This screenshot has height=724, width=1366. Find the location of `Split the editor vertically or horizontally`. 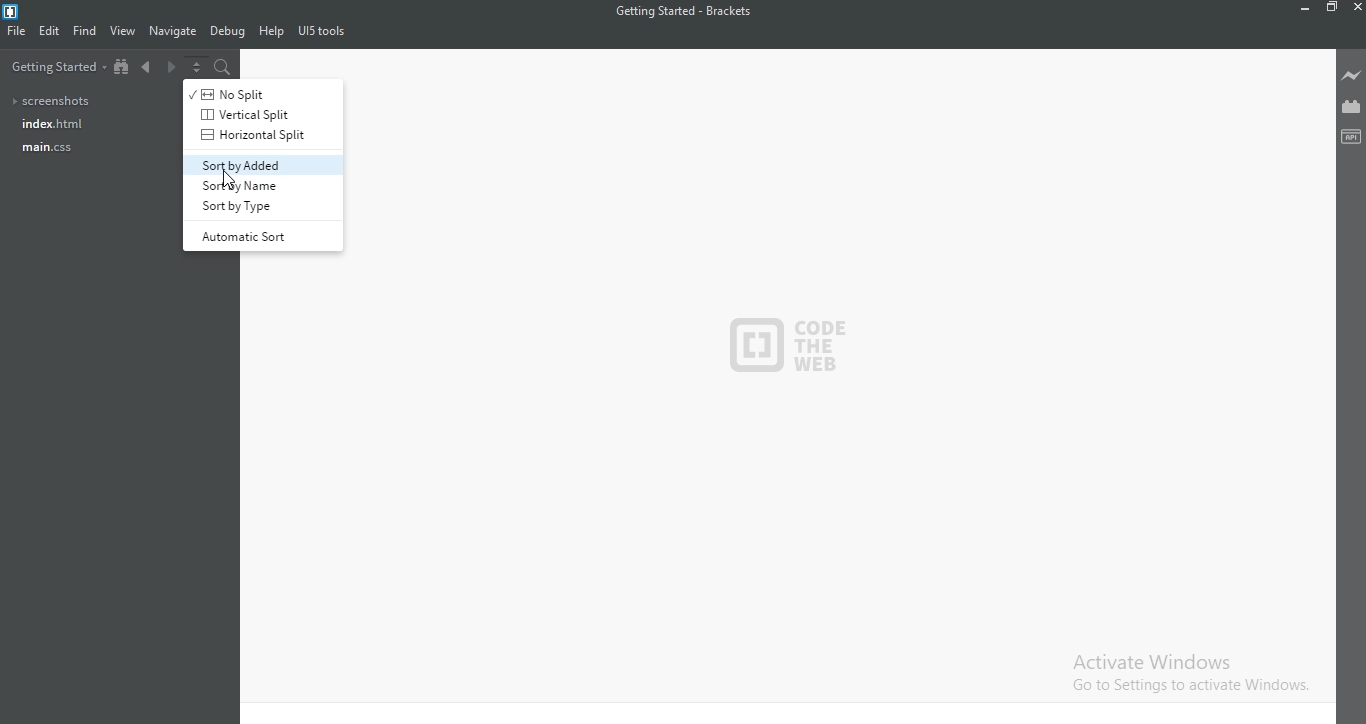

Split the editor vertically or horizontally is located at coordinates (197, 69).